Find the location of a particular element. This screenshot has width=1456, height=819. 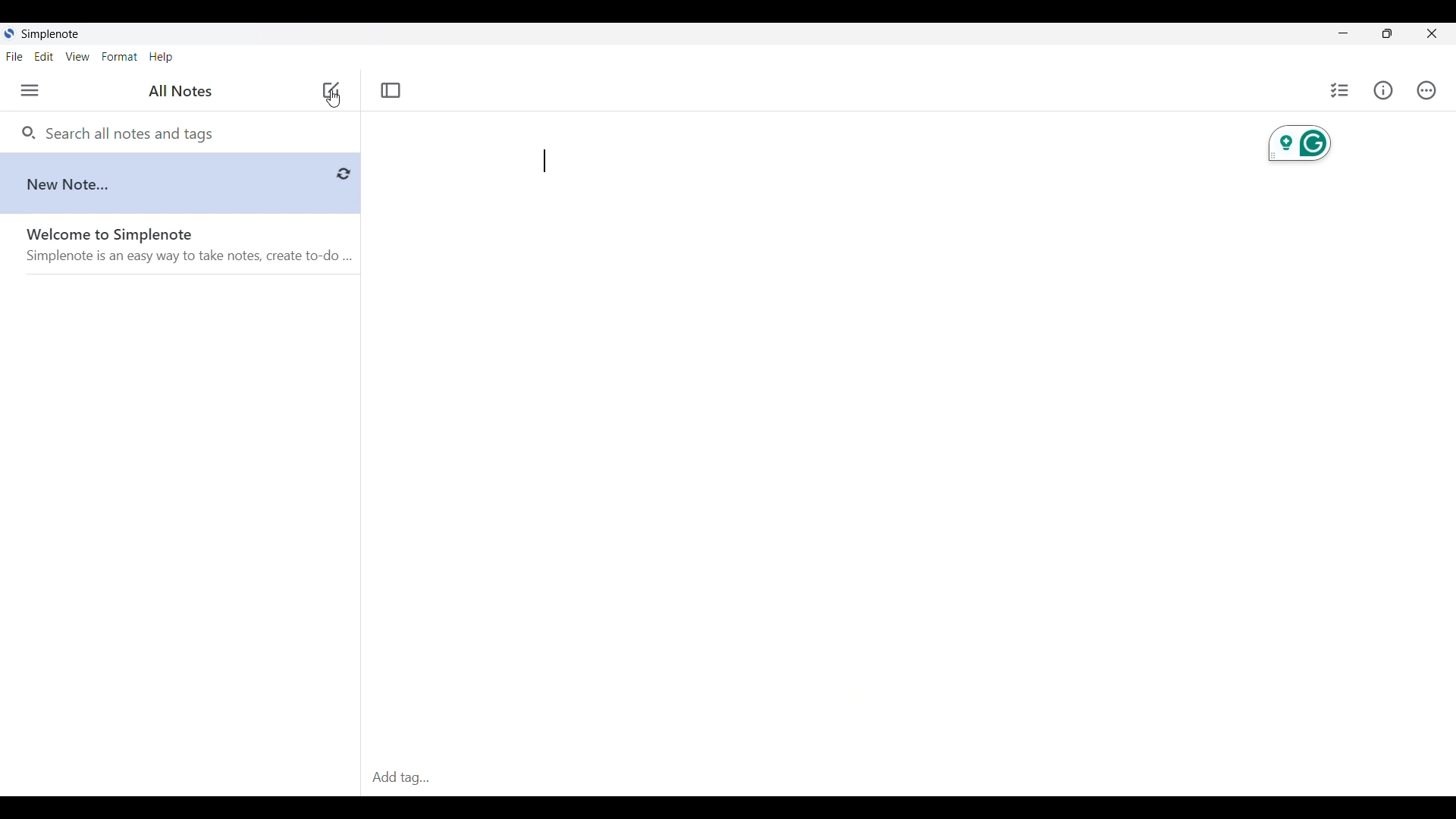

Cursor position unchanged after clicking on New Note is located at coordinates (334, 99).